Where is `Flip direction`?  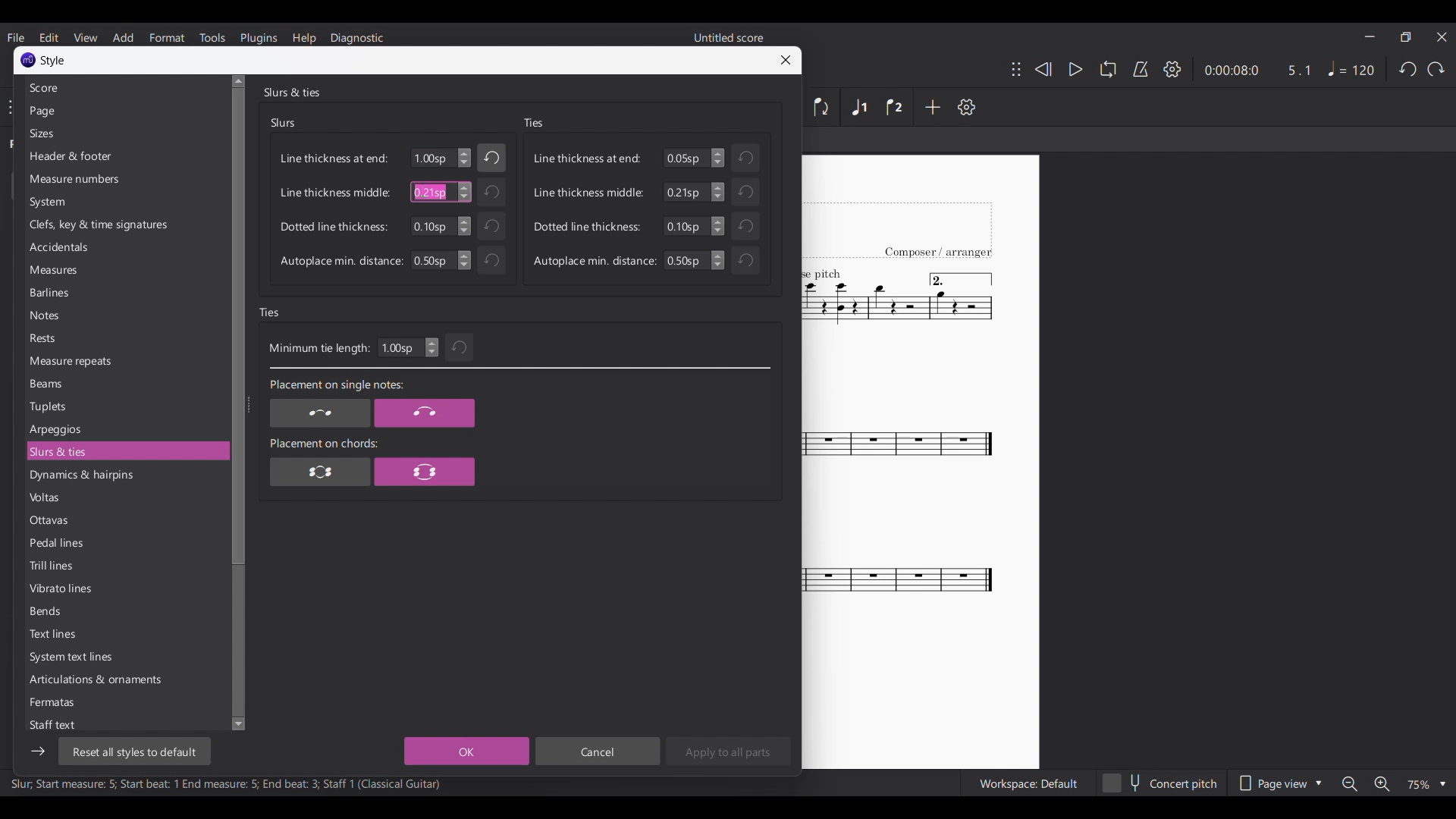
Flip direction is located at coordinates (822, 107).